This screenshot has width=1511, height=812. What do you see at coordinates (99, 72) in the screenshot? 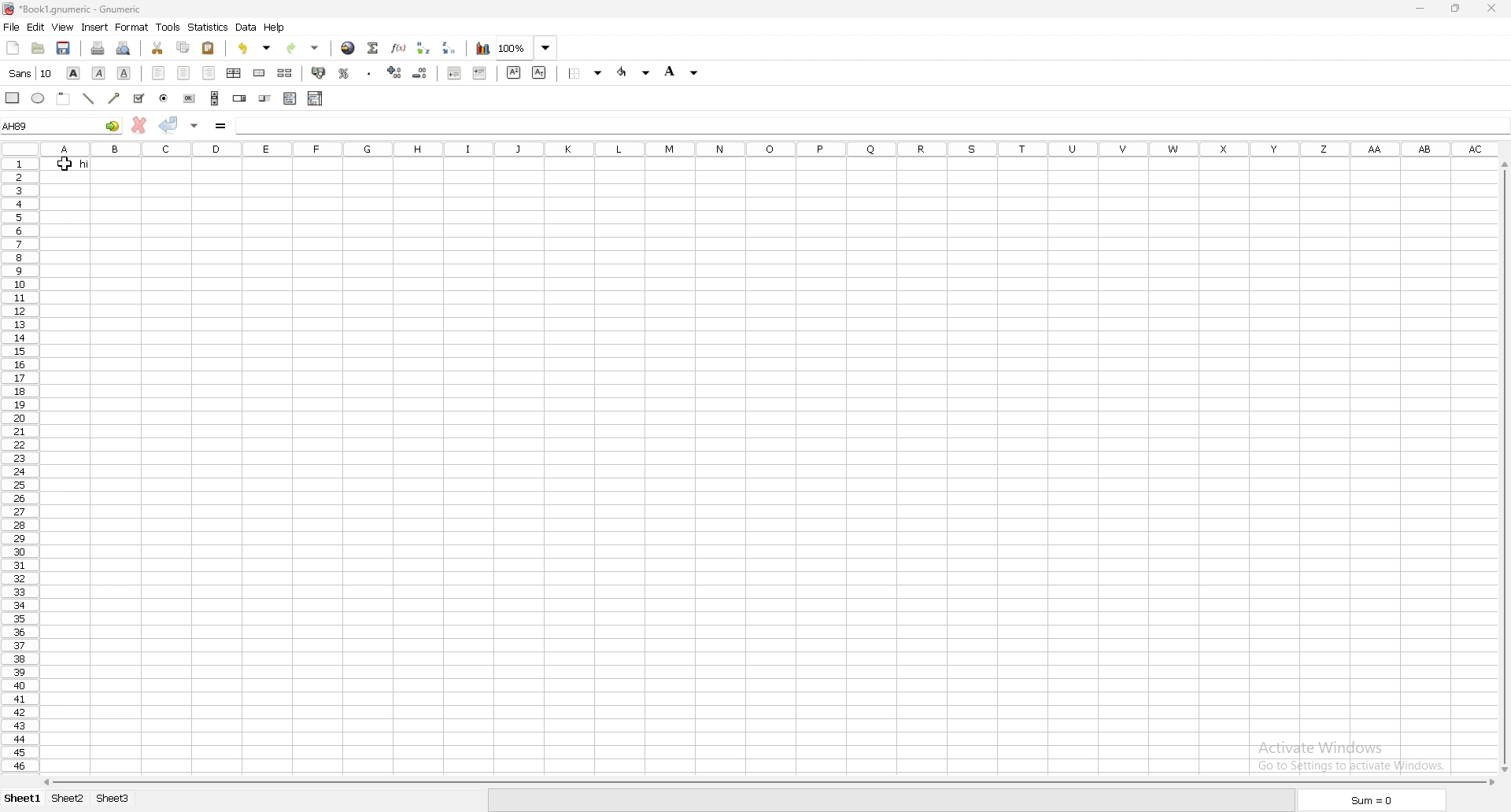
I see `italic` at bounding box center [99, 72].